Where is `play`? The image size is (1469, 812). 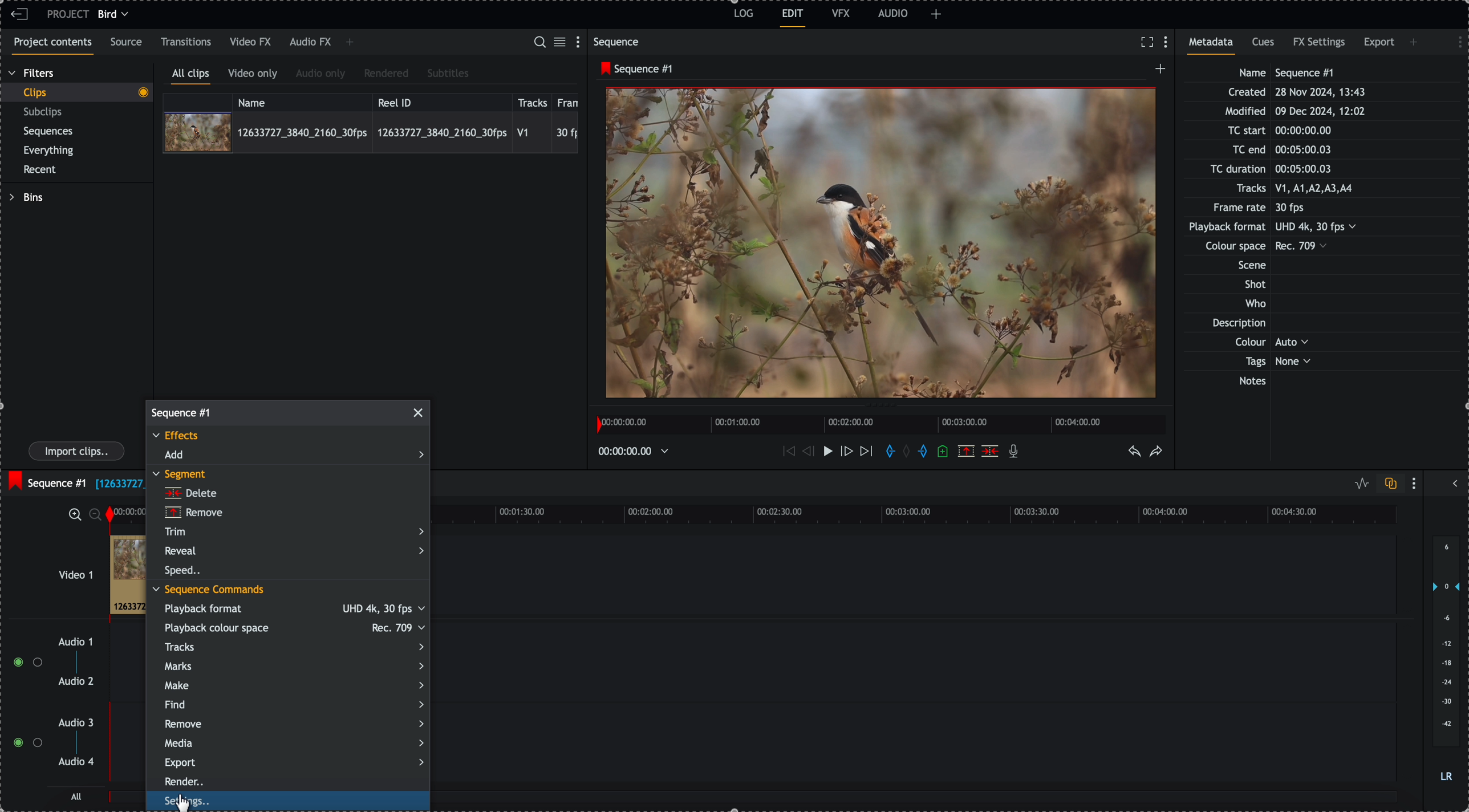
play is located at coordinates (824, 452).